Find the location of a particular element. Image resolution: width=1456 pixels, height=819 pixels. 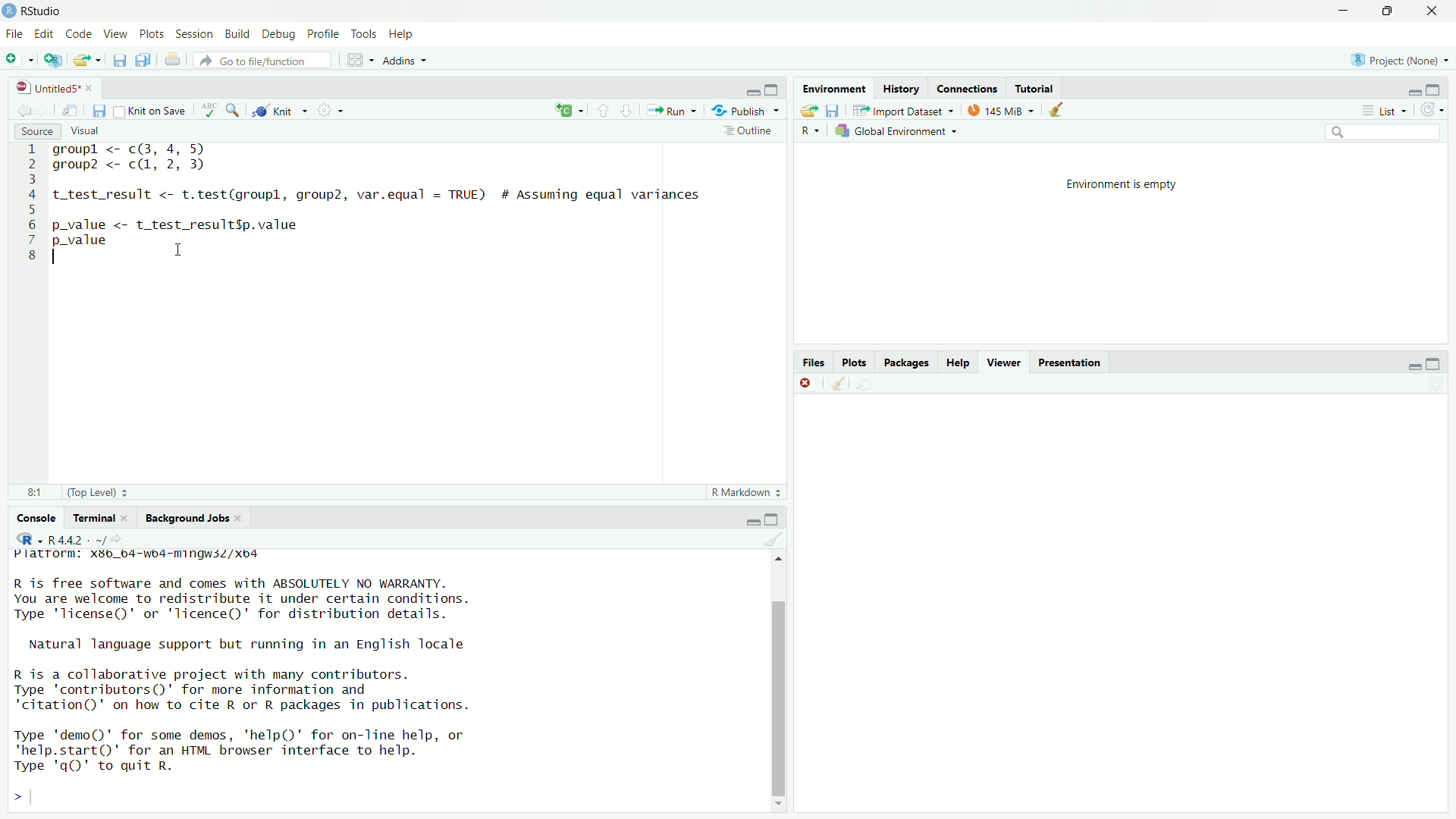

search is located at coordinates (233, 108).